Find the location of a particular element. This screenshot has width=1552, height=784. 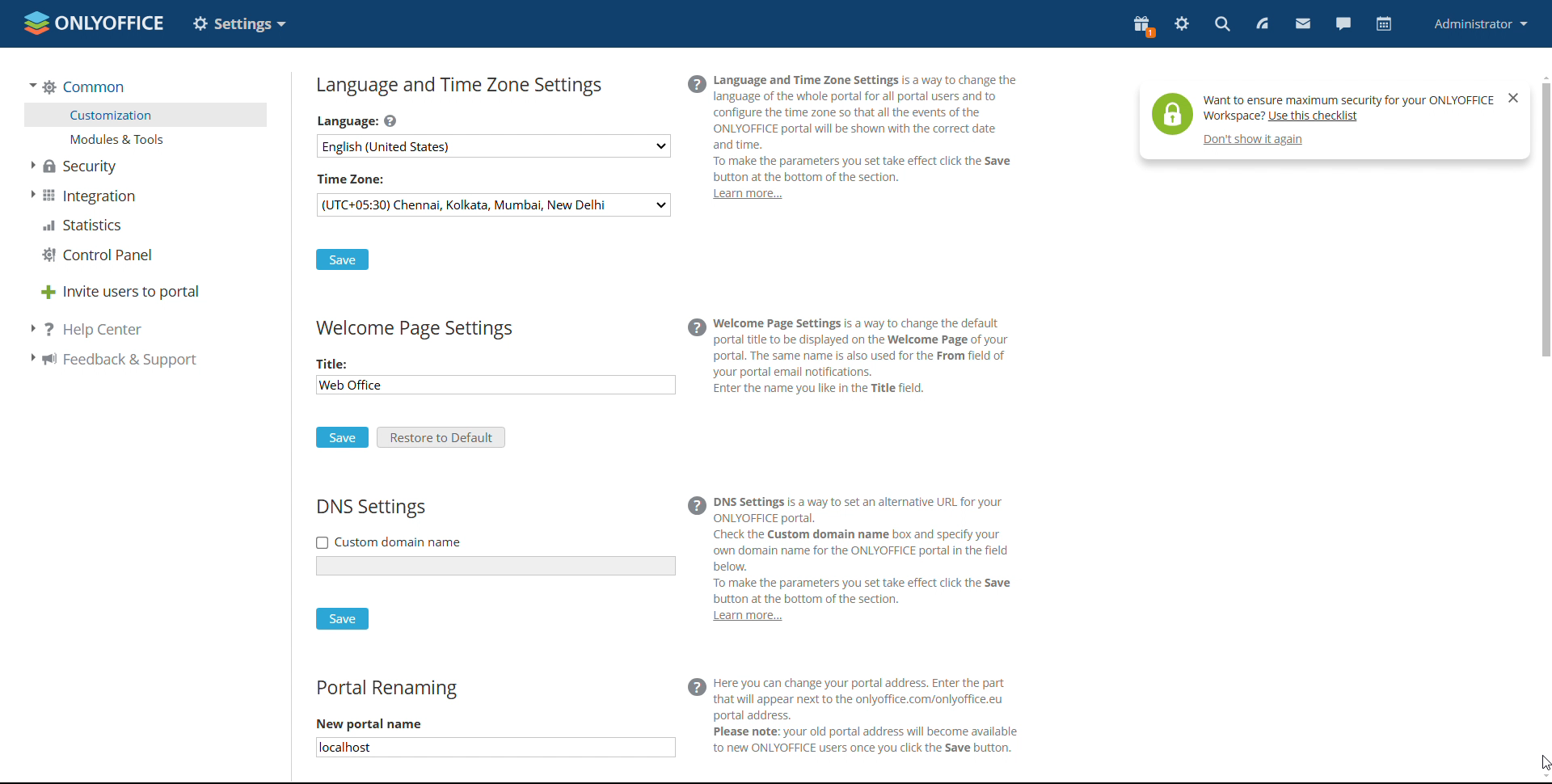

profile is located at coordinates (1478, 23).